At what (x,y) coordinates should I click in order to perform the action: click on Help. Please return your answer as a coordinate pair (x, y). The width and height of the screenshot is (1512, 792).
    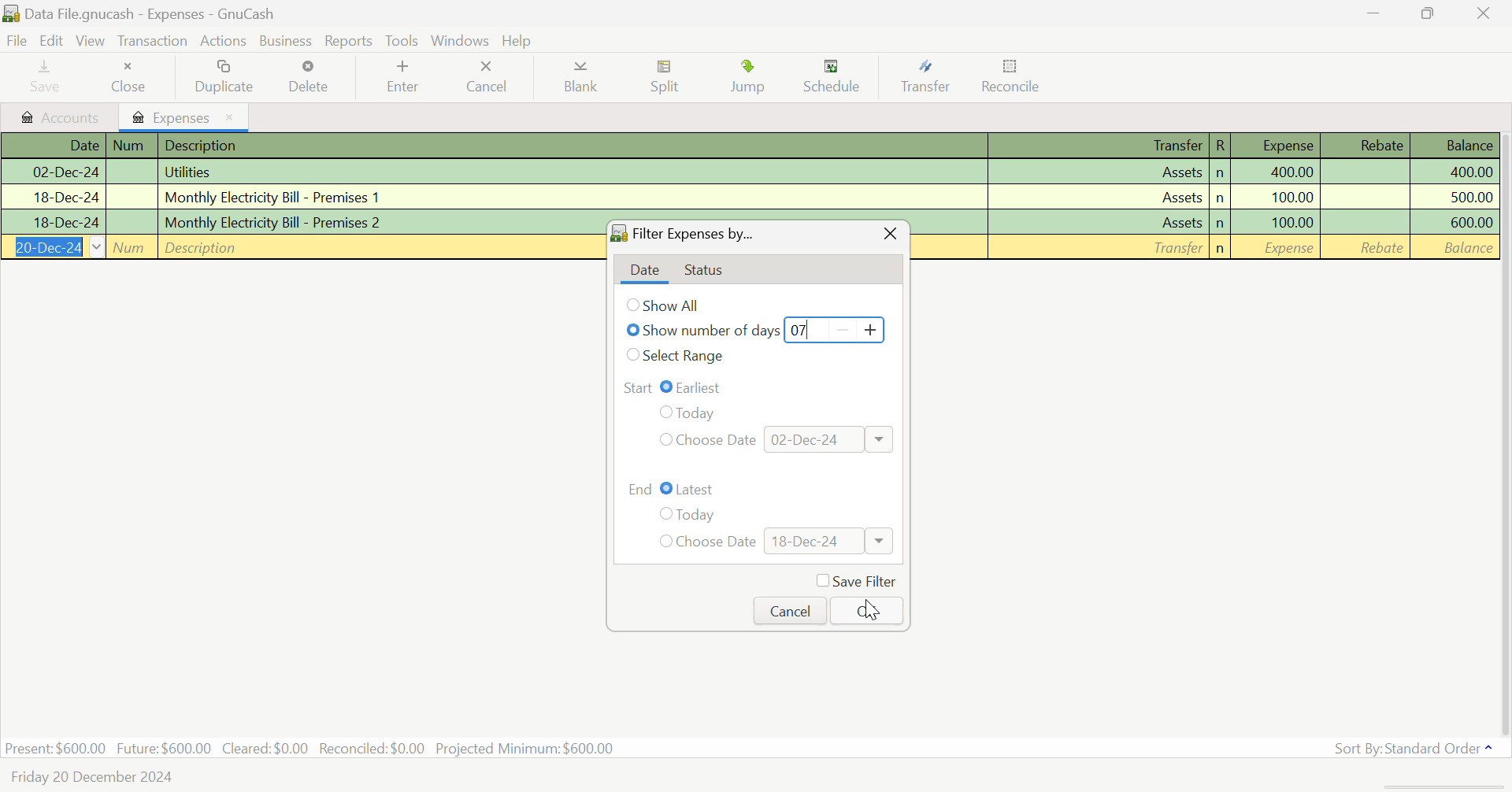
    Looking at the image, I should click on (517, 40).